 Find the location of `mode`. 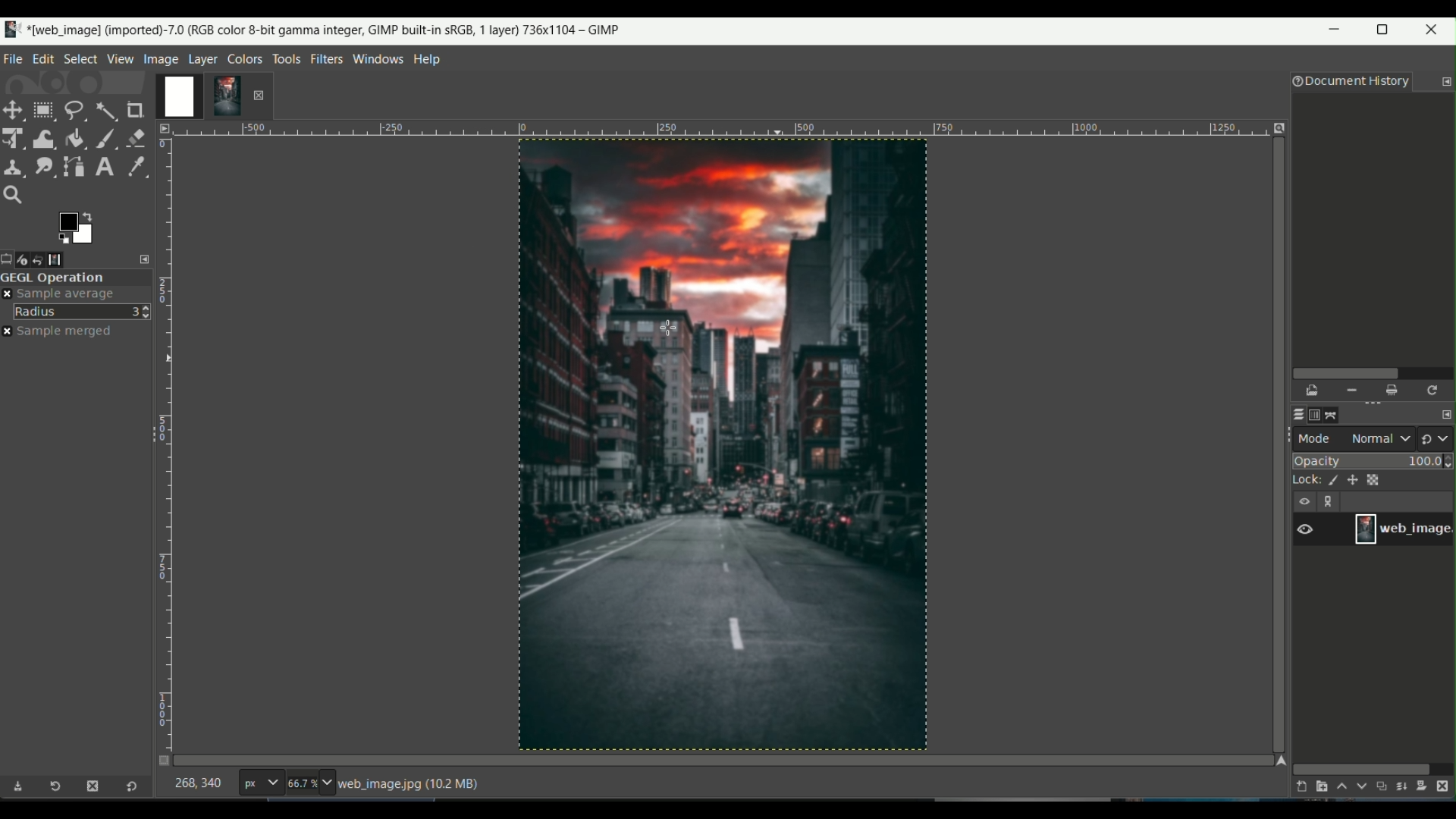

mode is located at coordinates (1355, 438).